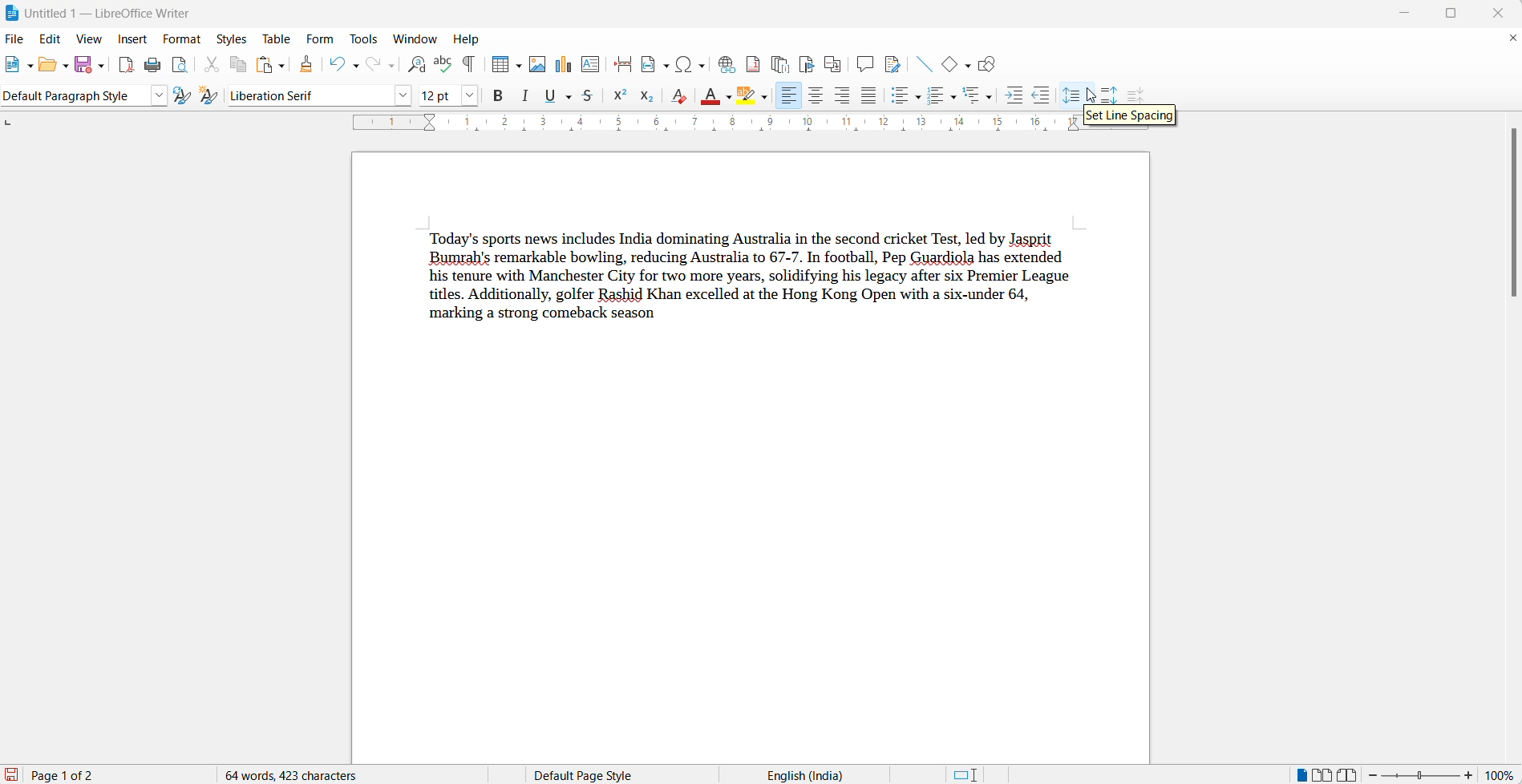 The height and width of the screenshot is (784, 1522). What do you see at coordinates (391, 67) in the screenshot?
I see `redo options` at bounding box center [391, 67].